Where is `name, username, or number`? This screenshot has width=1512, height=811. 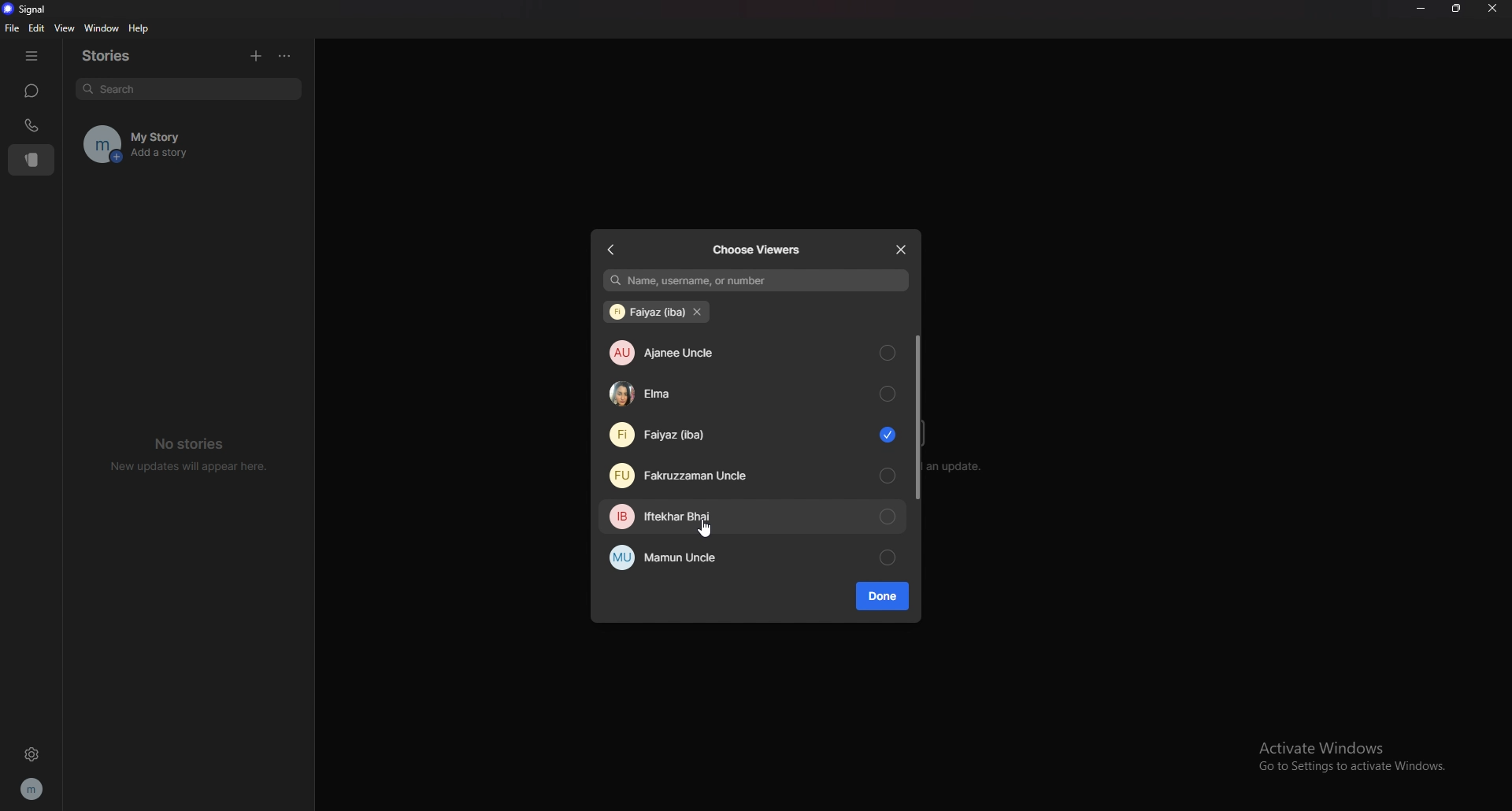
name, username, or number is located at coordinates (753, 282).